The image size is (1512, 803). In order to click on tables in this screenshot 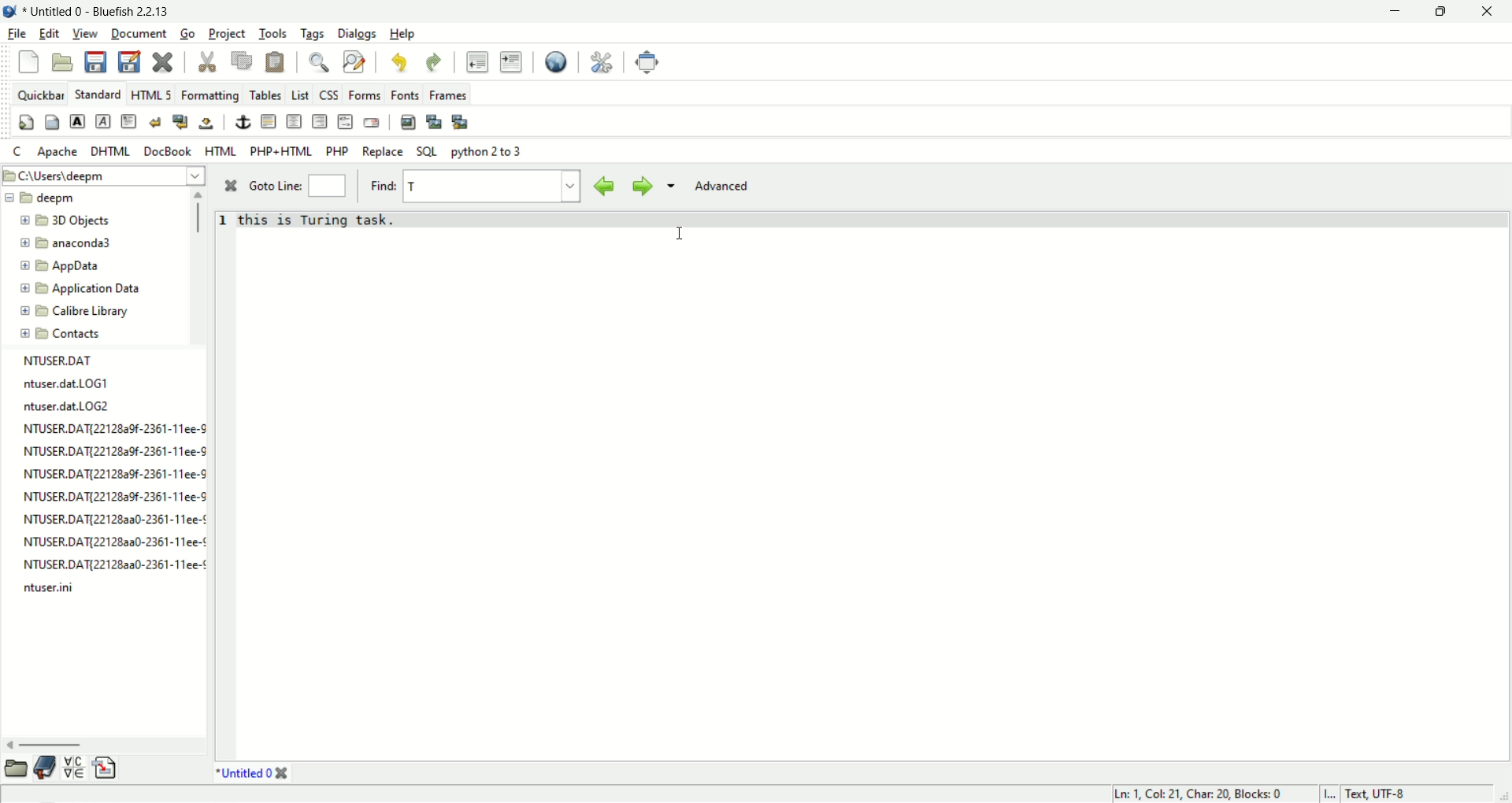, I will do `click(266, 95)`.